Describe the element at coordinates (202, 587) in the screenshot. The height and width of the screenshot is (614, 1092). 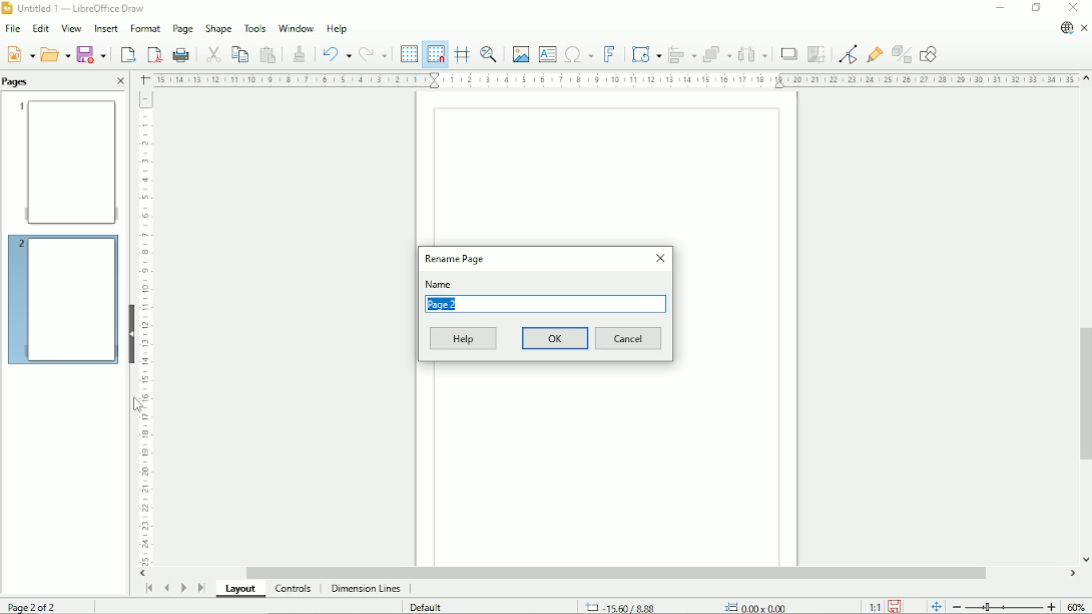
I see `Scroll to last page` at that location.